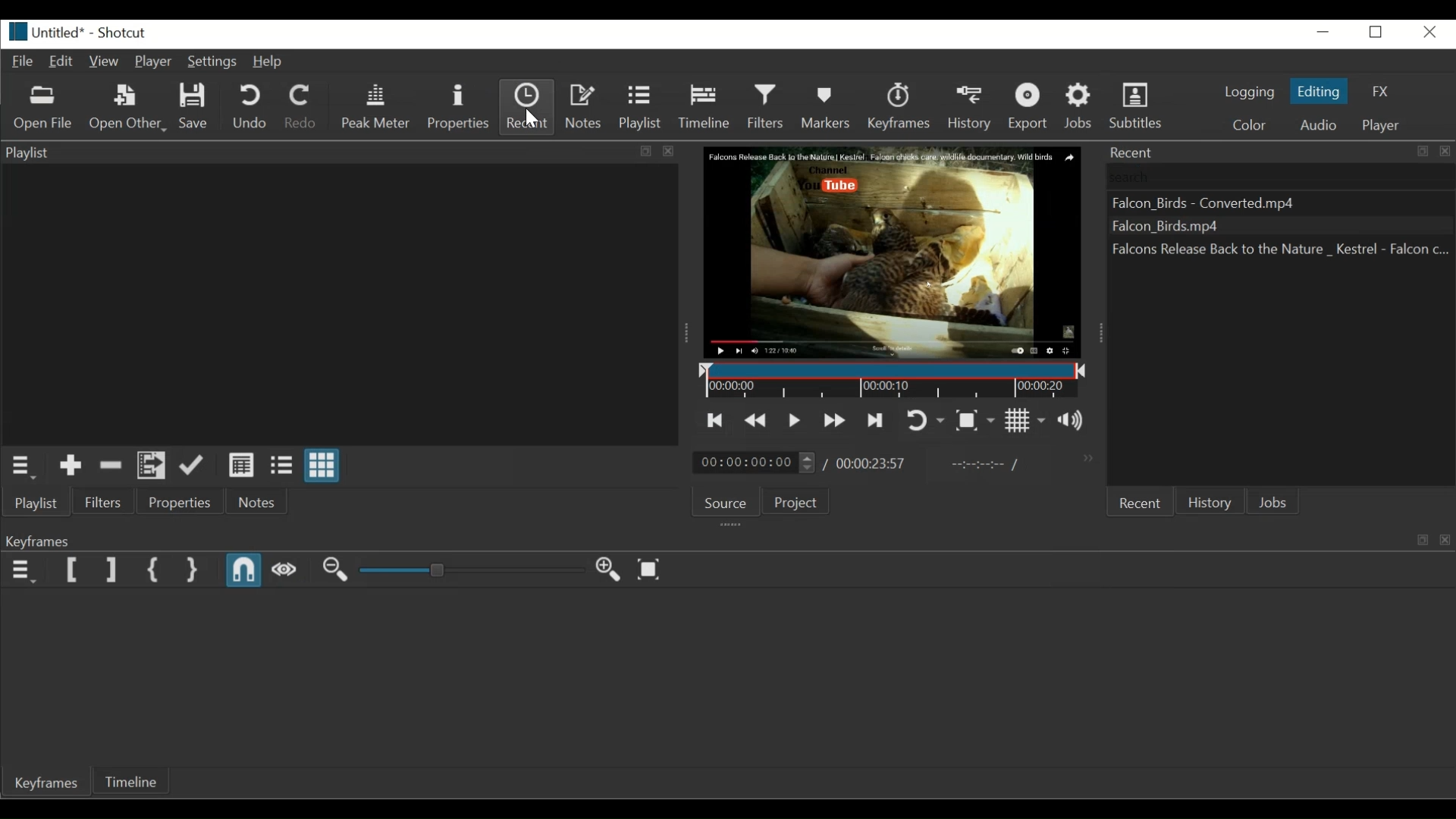 This screenshot has width=1456, height=819. Describe the element at coordinates (1376, 91) in the screenshot. I see `FX` at that location.